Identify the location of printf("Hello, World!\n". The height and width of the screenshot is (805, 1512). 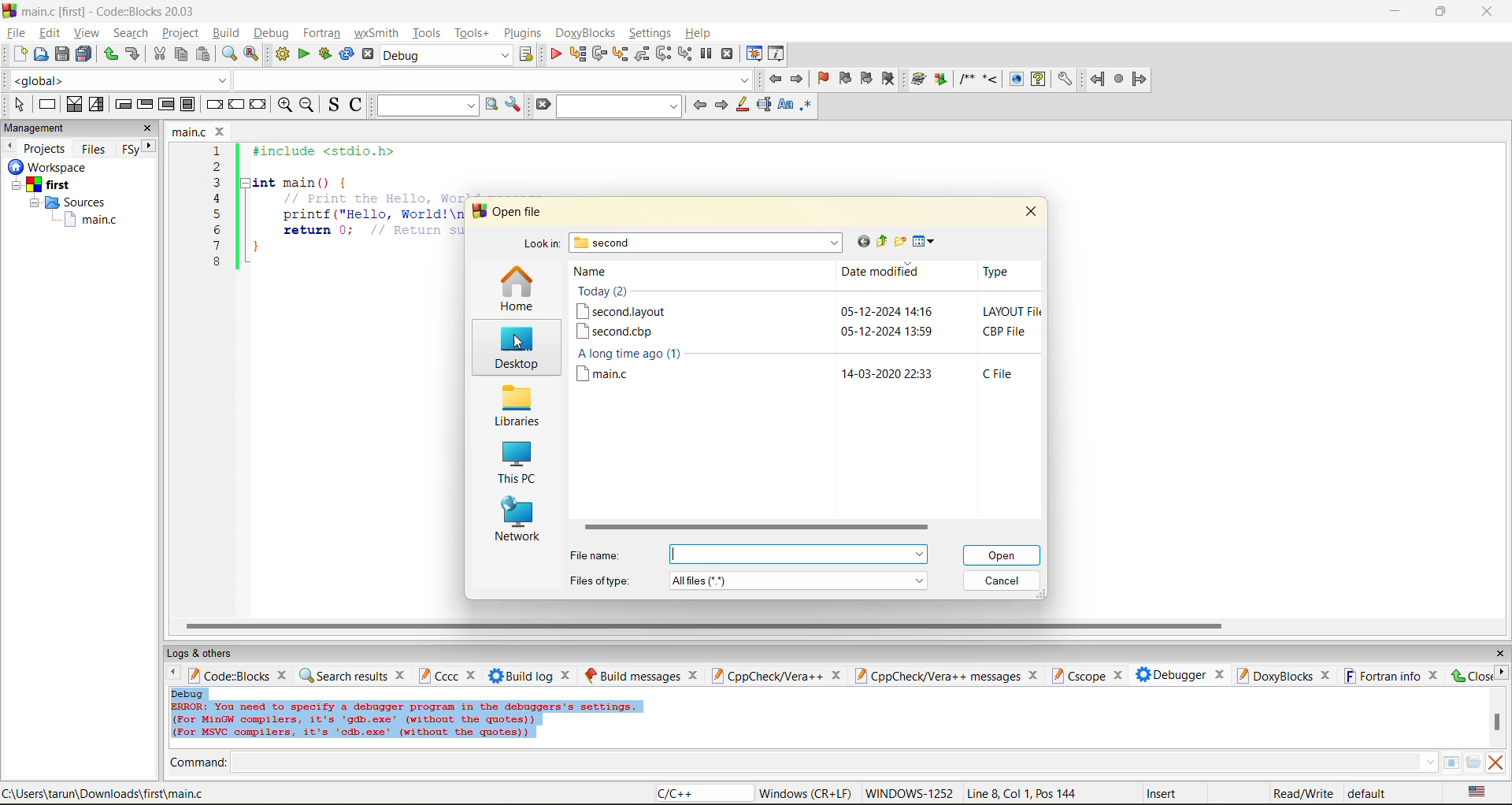
(372, 214).